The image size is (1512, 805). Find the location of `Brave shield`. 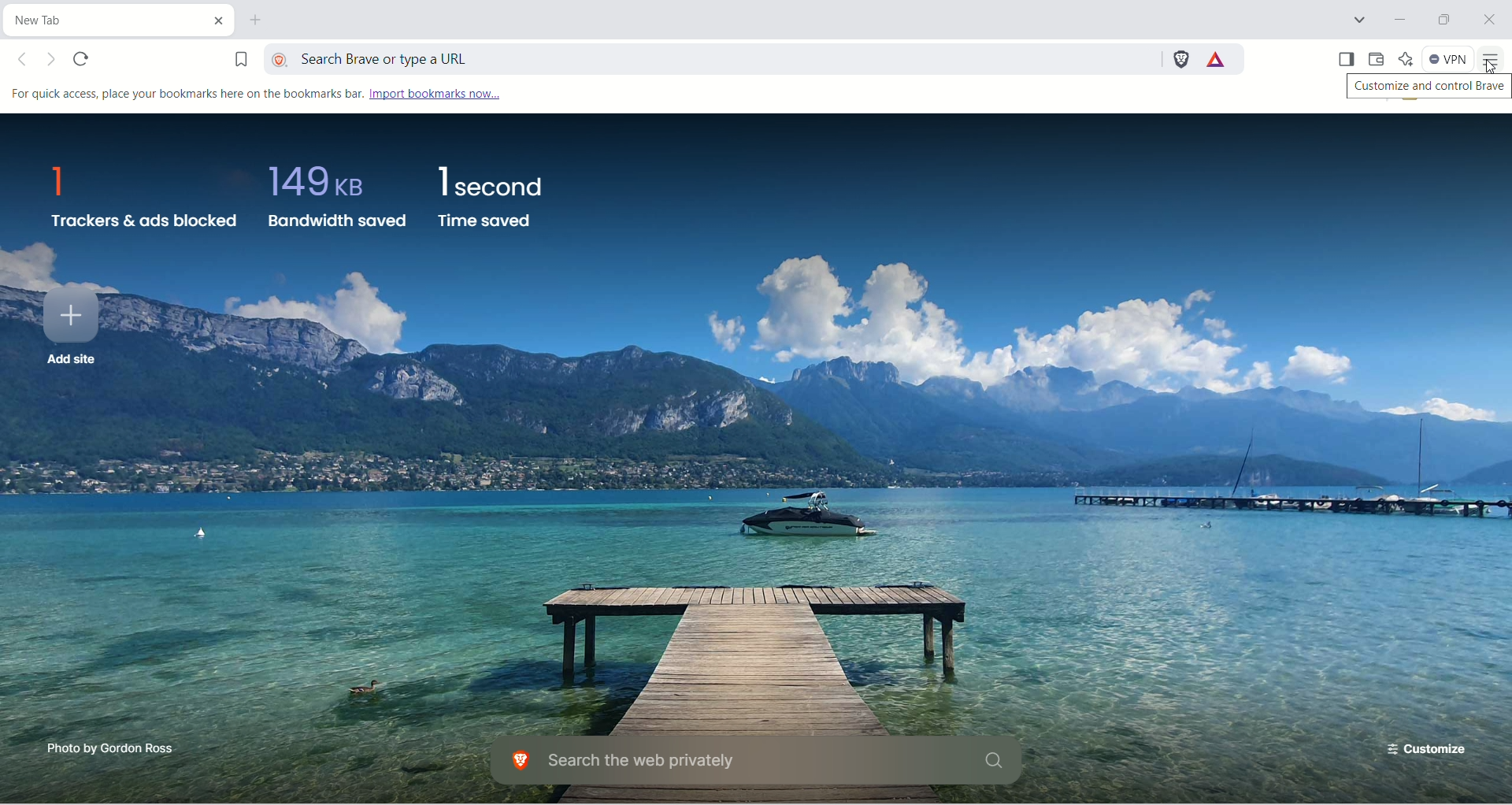

Brave shield is located at coordinates (1180, 59).